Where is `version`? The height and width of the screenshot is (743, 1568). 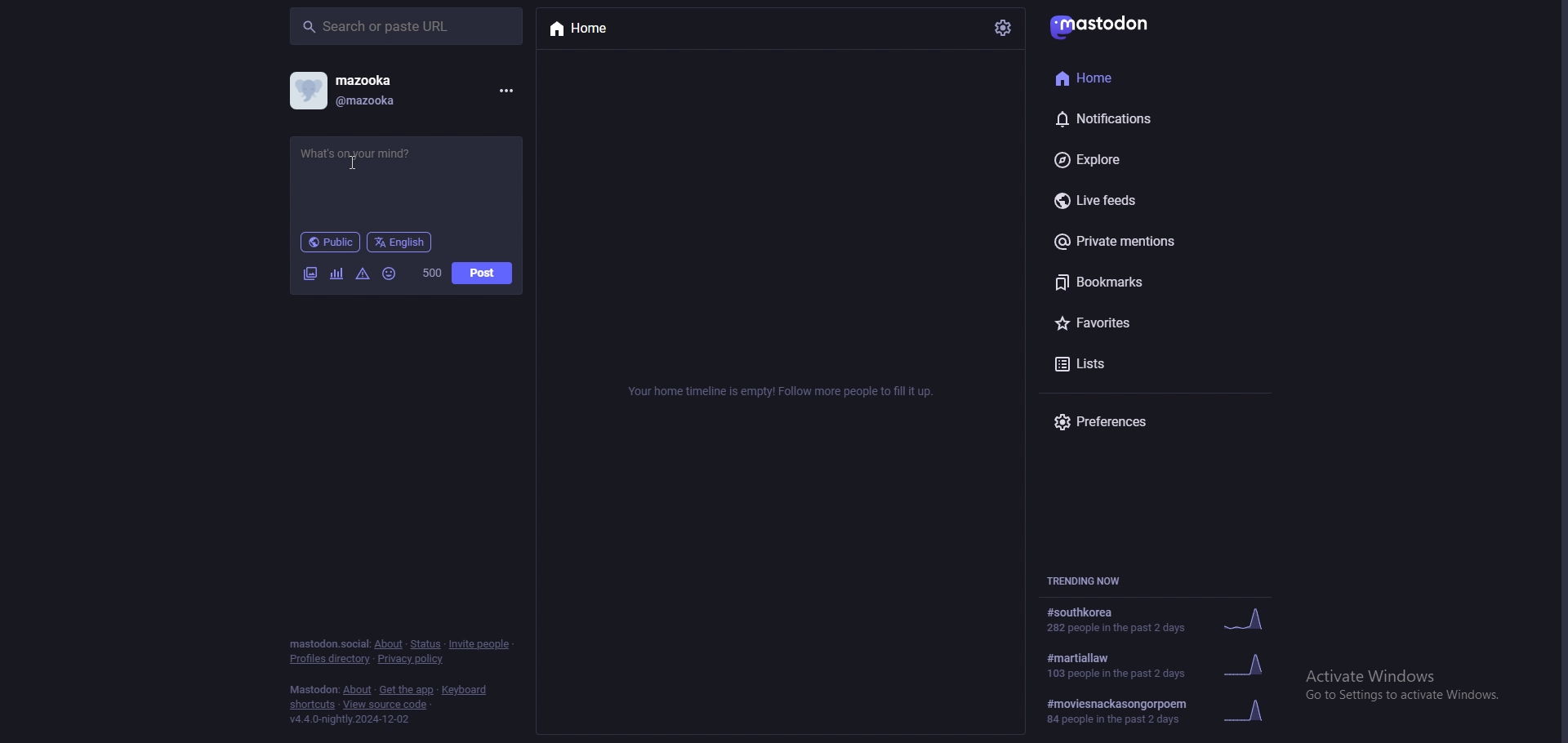
version is located at coordinates (350, 720).